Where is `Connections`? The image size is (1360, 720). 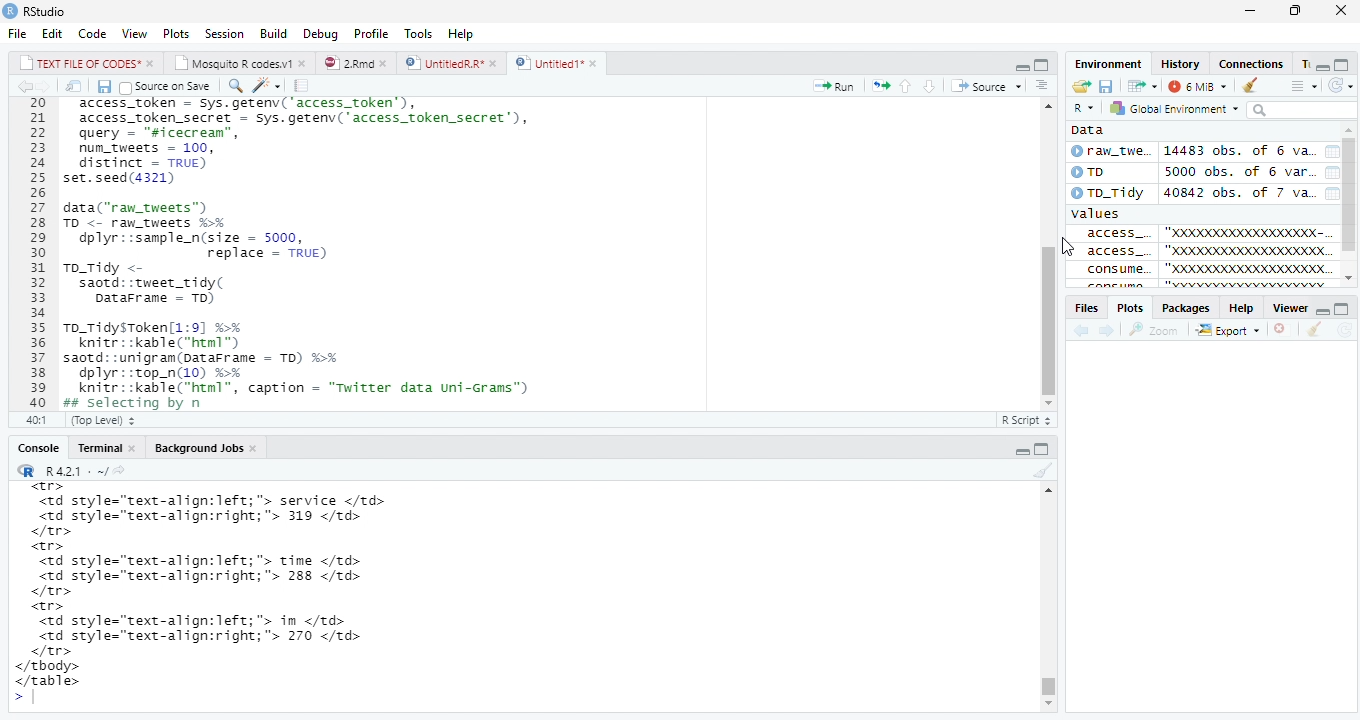
Connections is located at coordinates (1263, 63).